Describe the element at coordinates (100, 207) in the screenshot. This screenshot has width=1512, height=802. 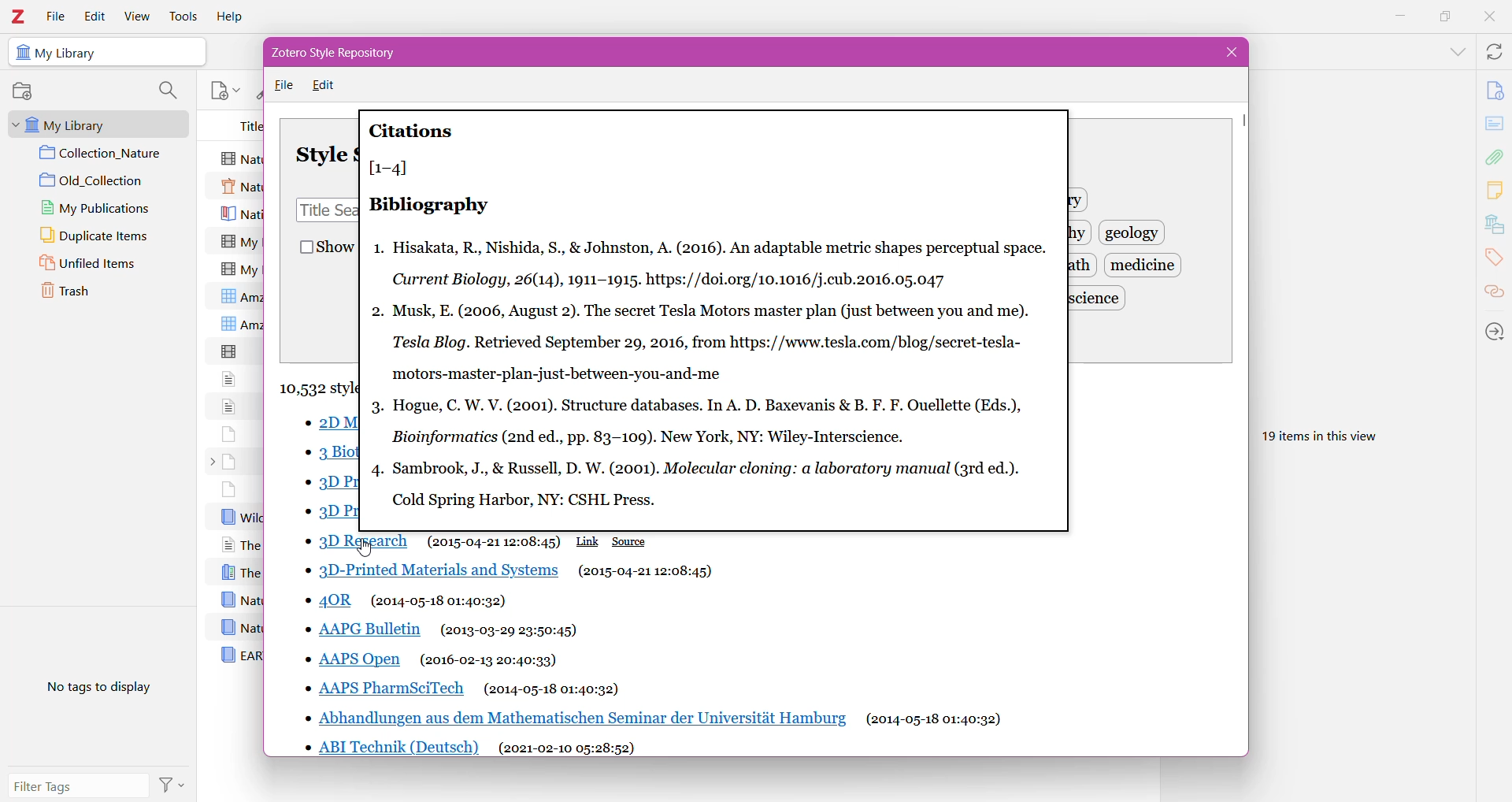
I see `My Publications` at that location.